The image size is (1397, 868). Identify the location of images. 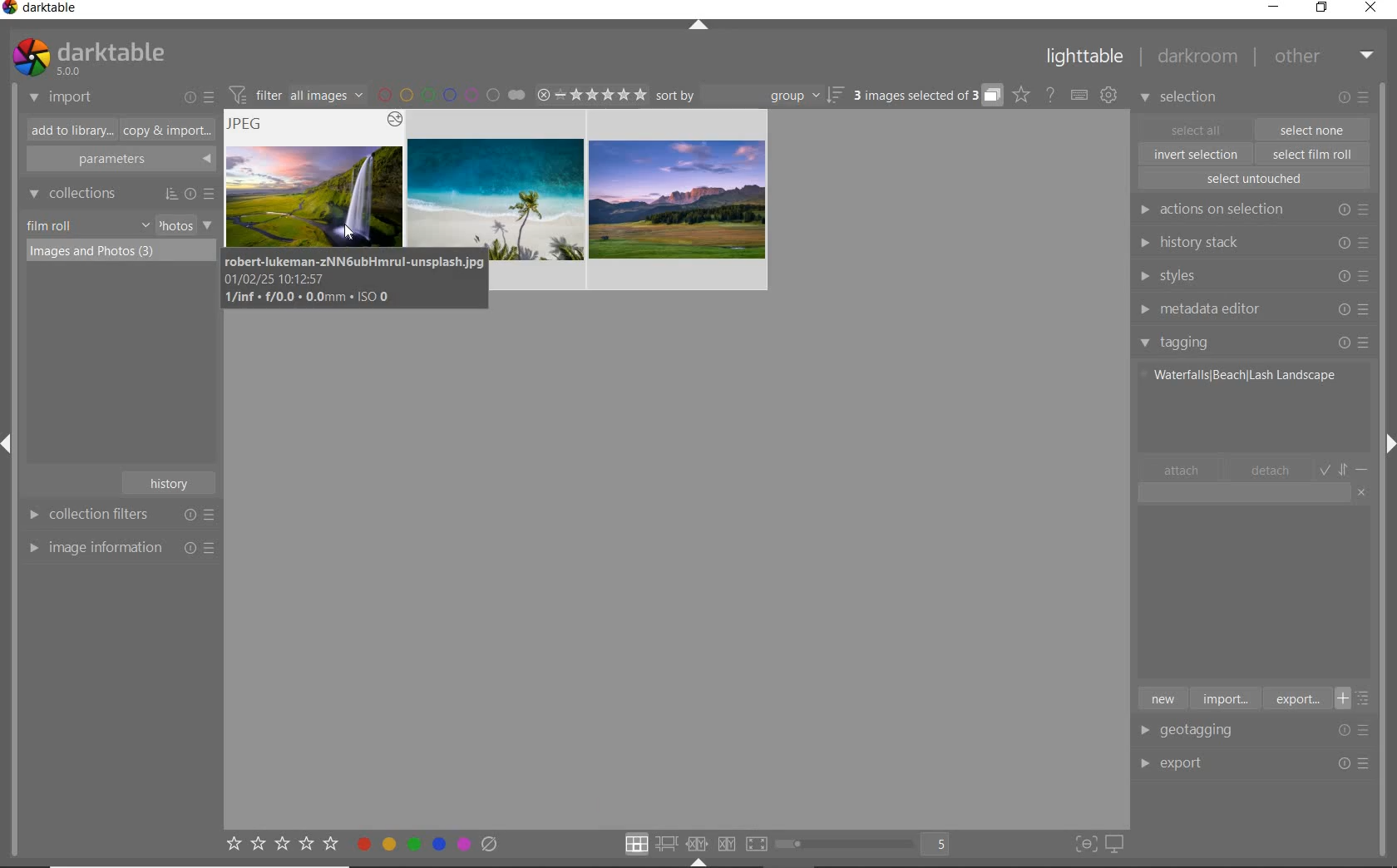
(496, 157).